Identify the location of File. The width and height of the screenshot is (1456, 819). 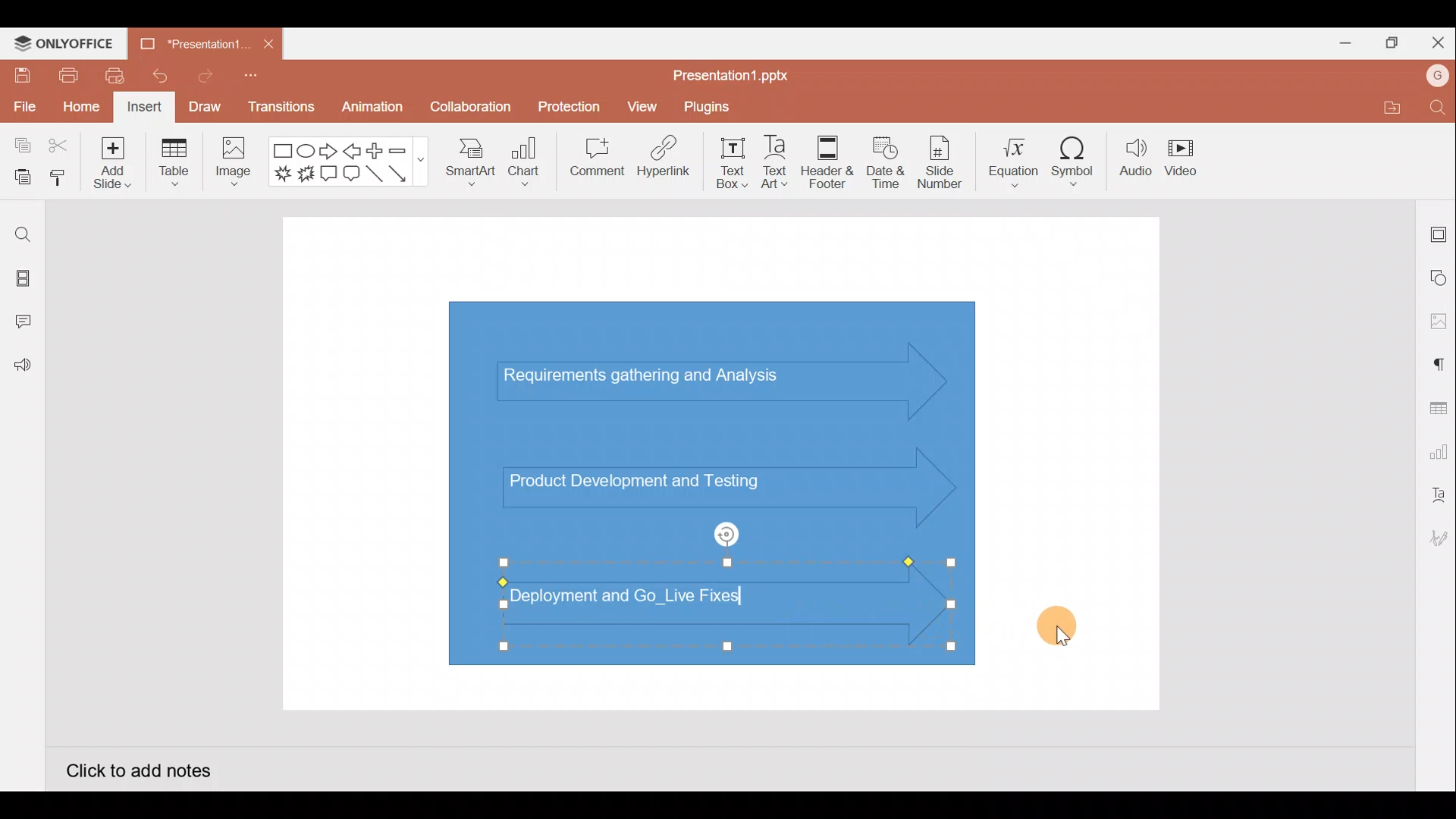
(23, 104).